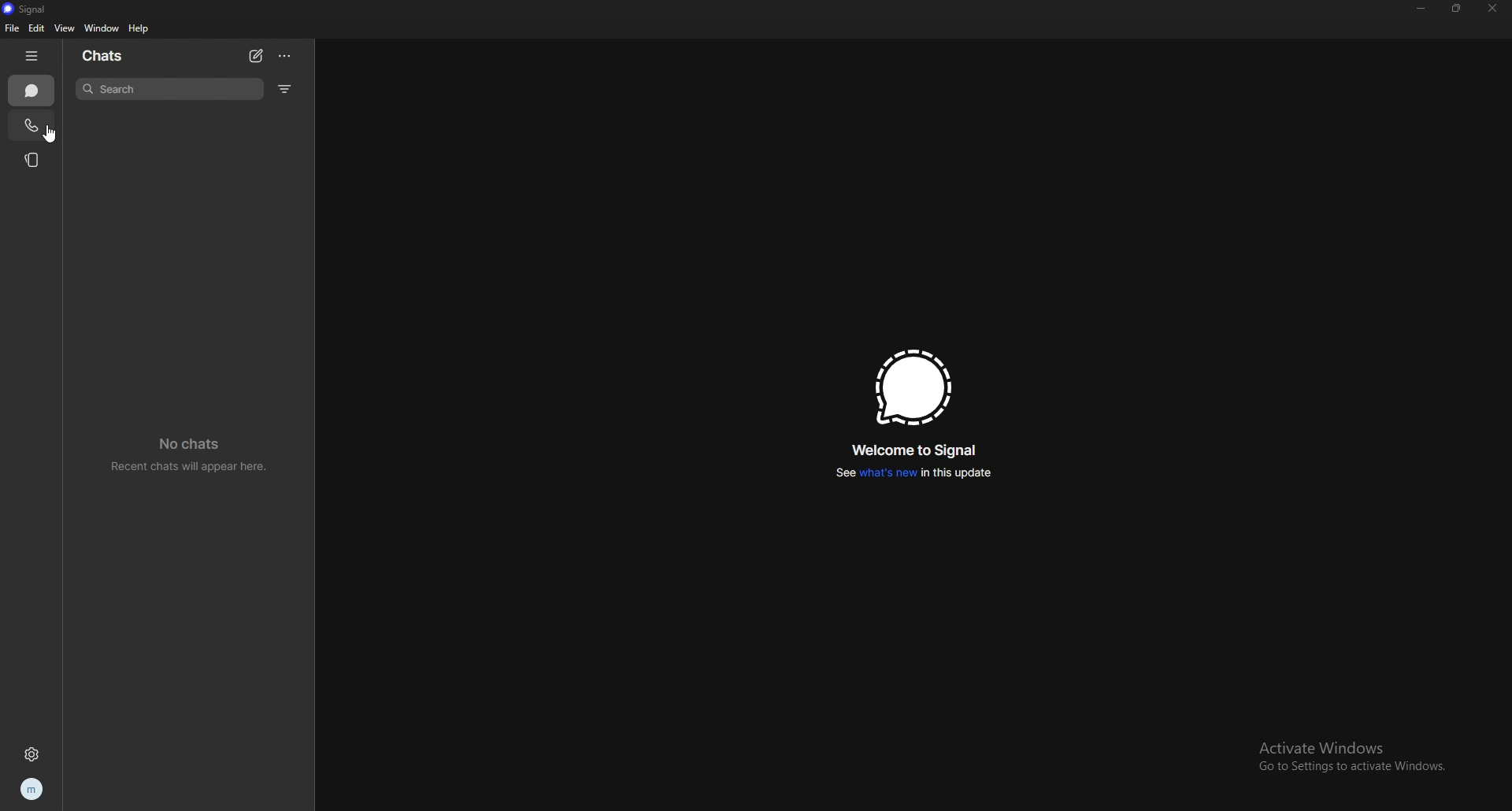 The height and width of the screenshot is (811, 1512). What do you see at coordinates (169, 88) in the screenshot?
I see `search` at bounding box center [169, 88].